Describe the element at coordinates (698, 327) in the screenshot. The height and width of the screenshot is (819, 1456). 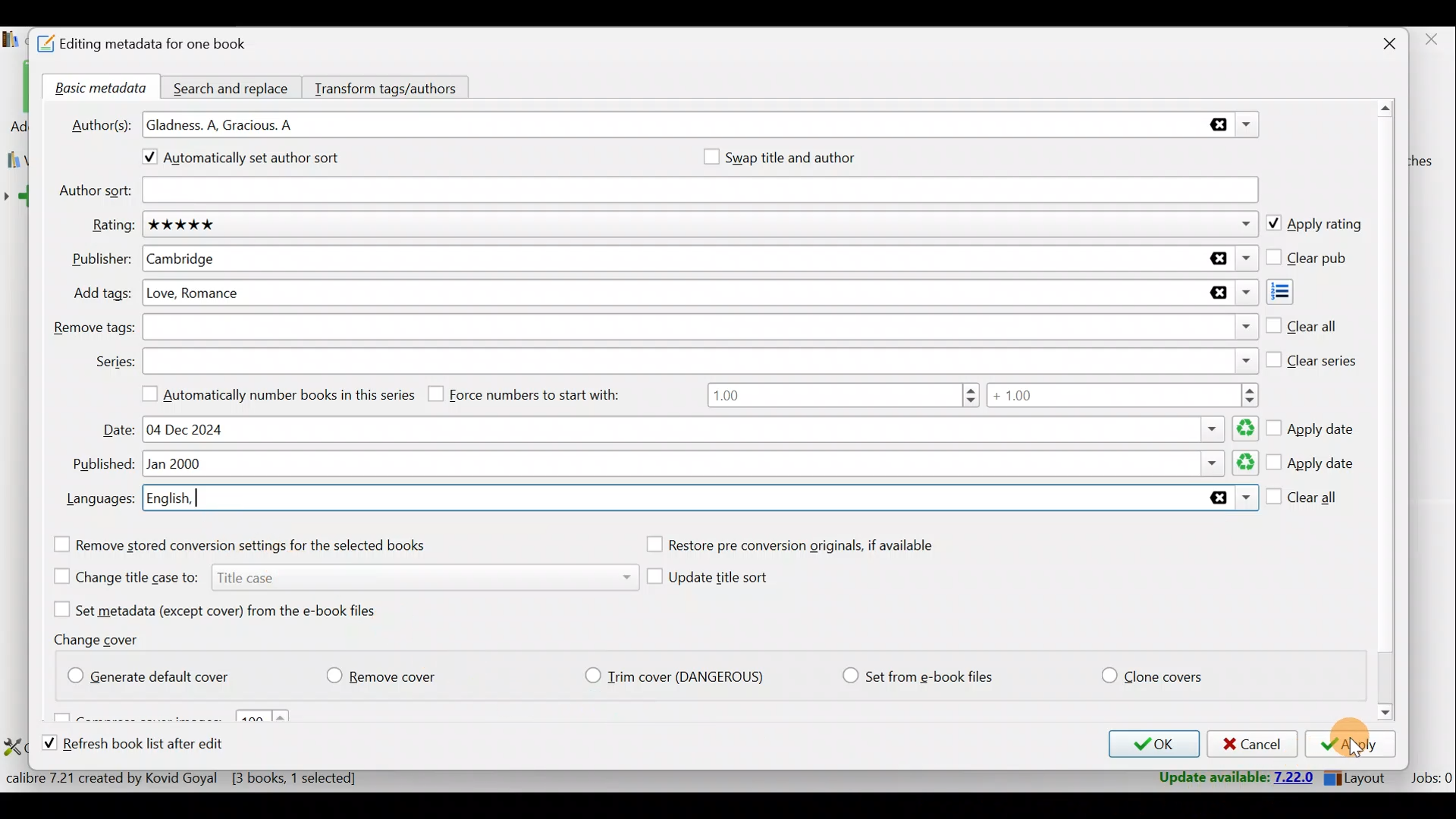
I see `Remove tags` at that location.